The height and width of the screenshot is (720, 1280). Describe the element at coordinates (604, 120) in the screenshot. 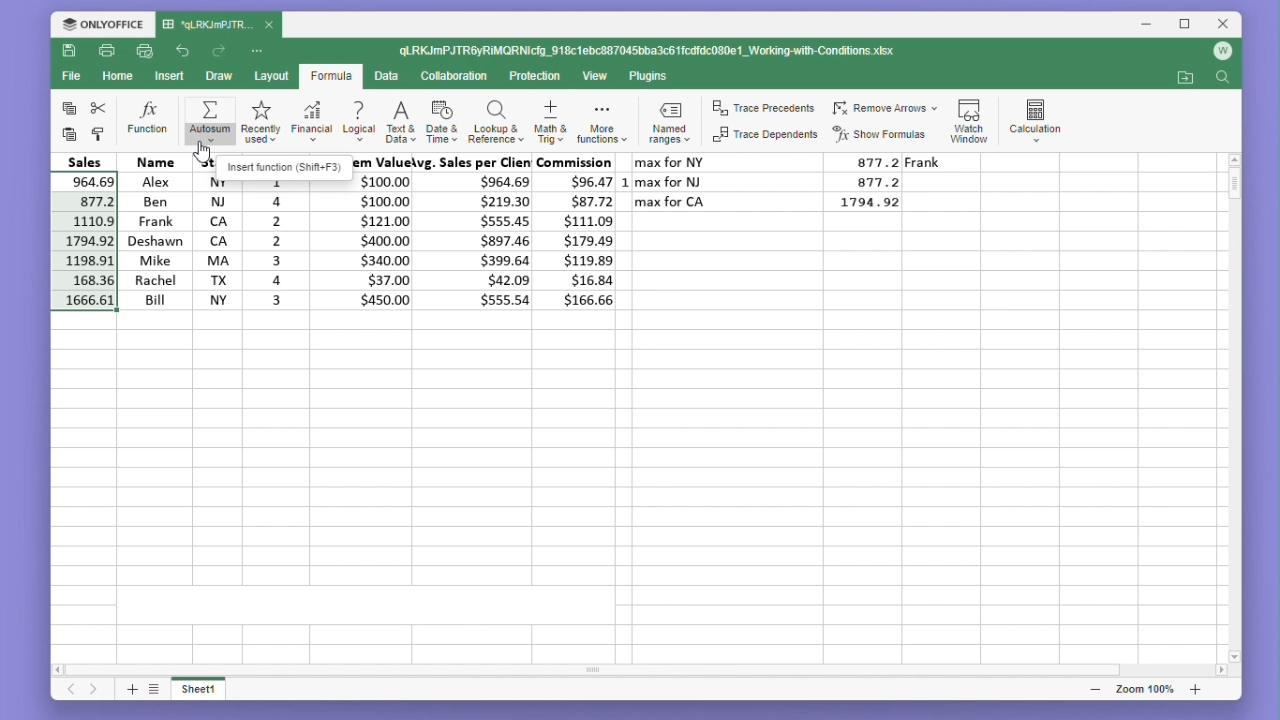

I see `More functions` at that location.